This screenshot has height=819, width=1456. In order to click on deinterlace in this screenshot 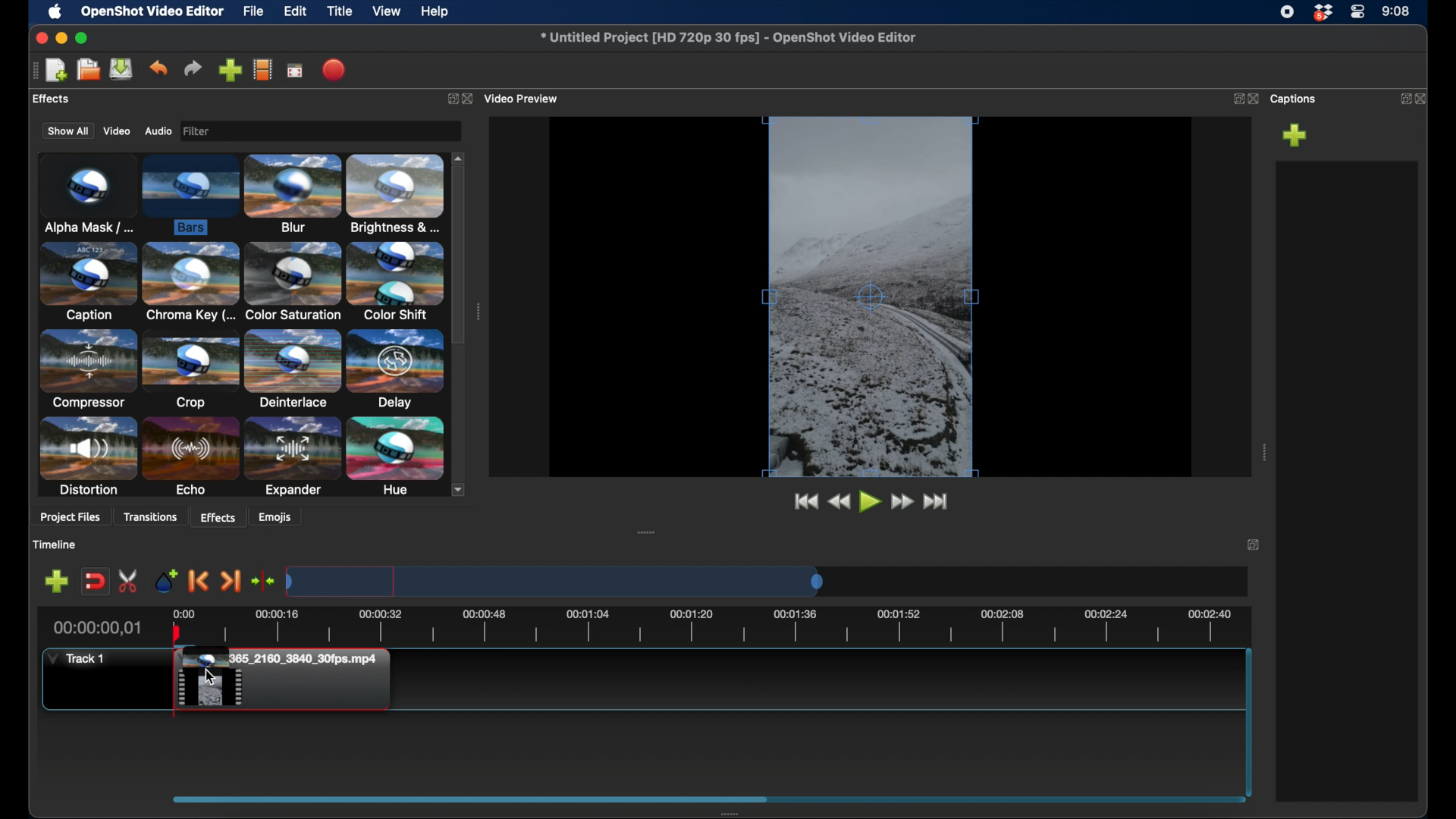, I will do `click(291, 370)`.